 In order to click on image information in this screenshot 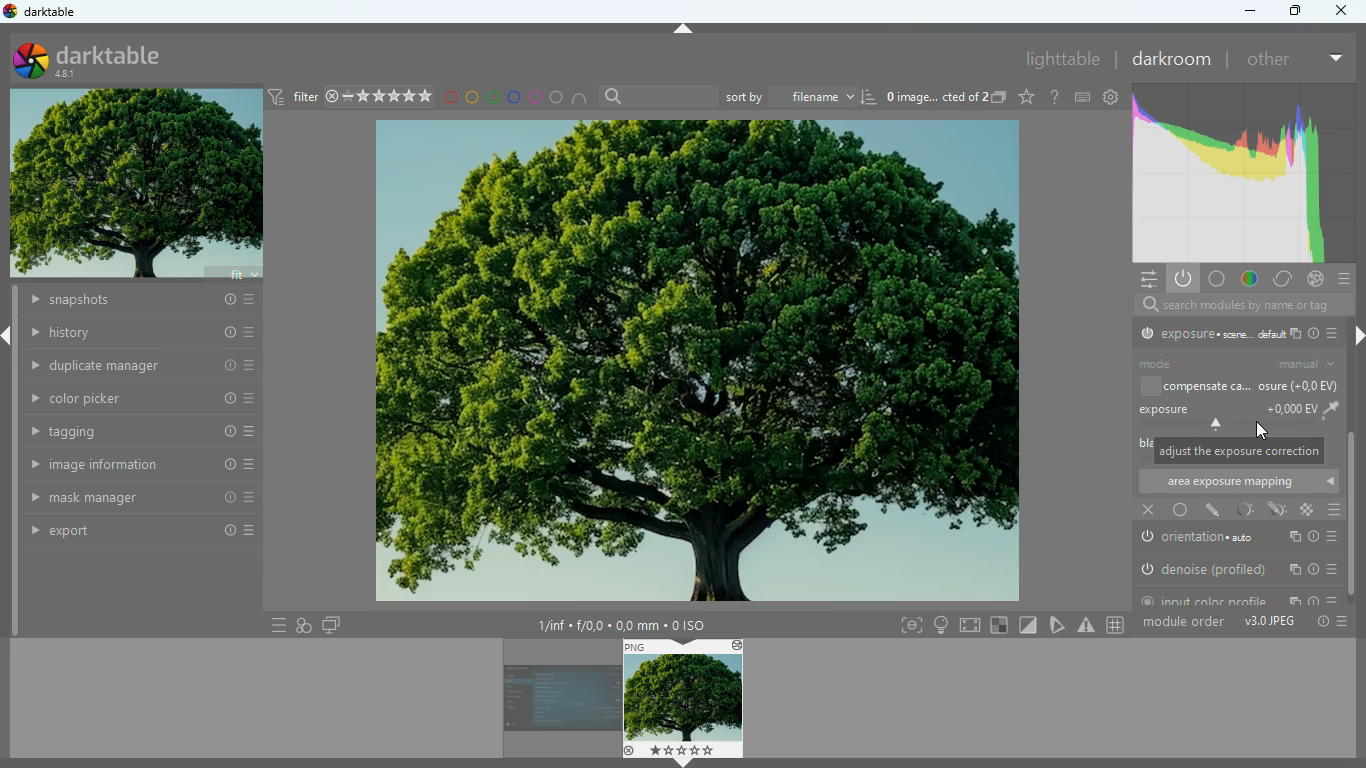, I will do `click(131, 467)`.